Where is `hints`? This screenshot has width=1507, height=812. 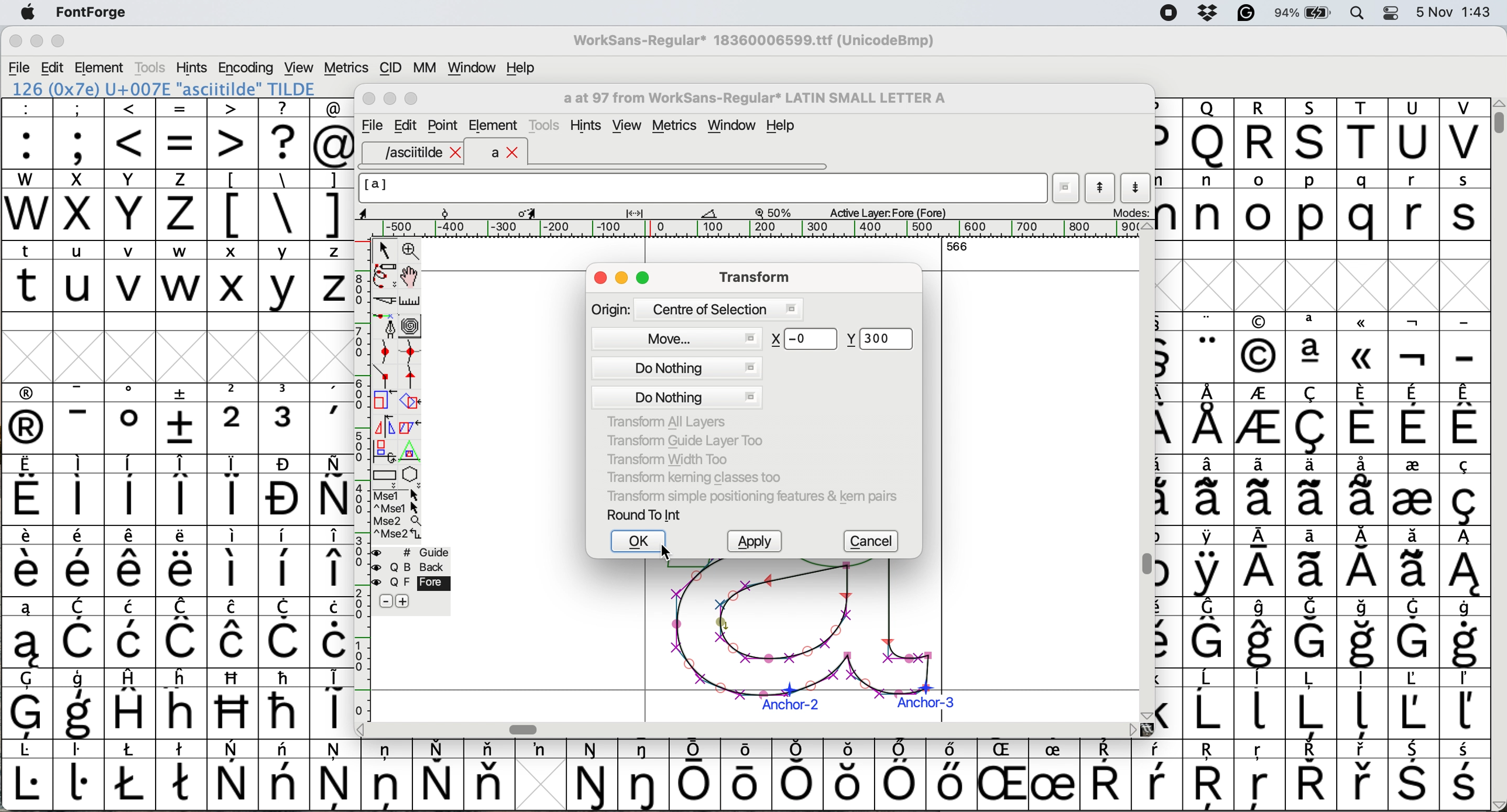
hints is located at coordinates (588, 126).